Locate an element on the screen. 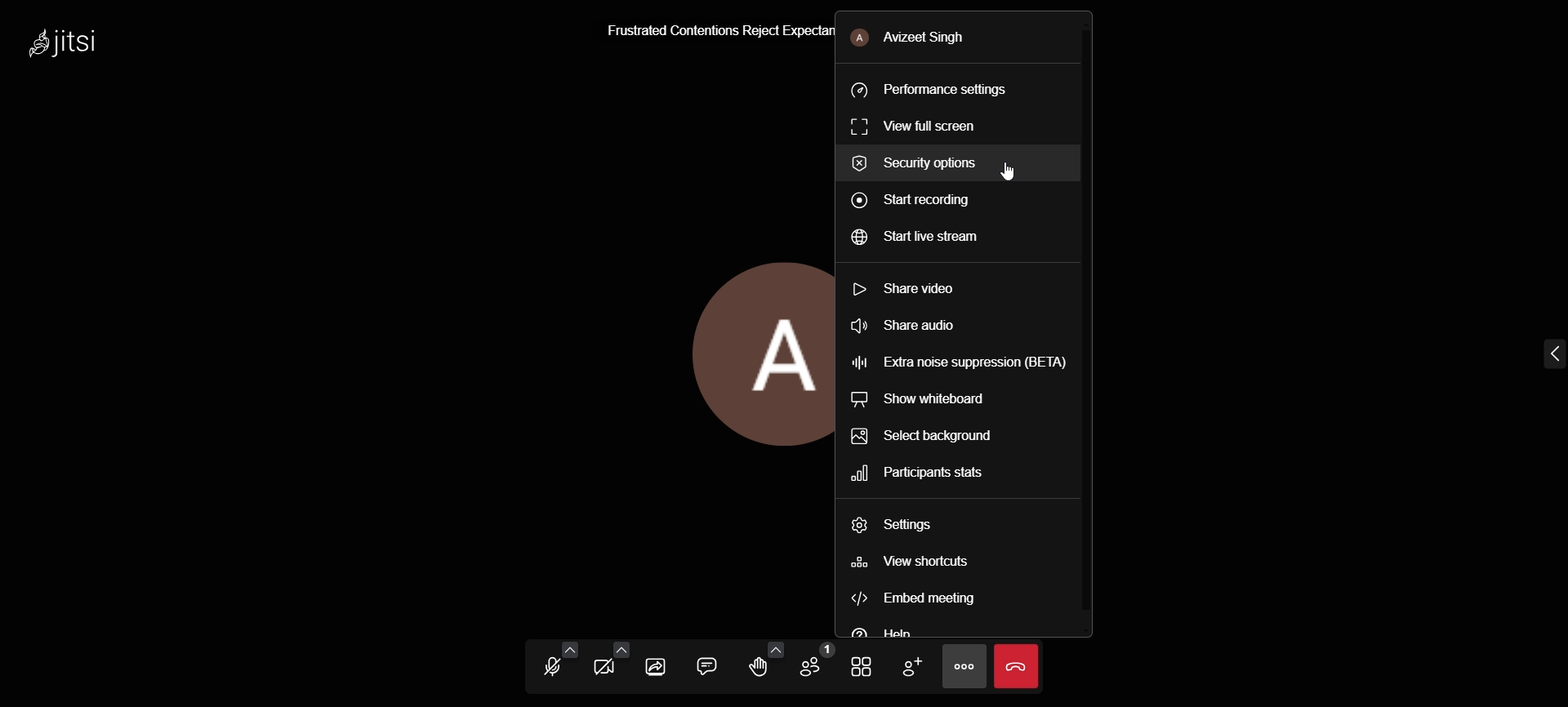 The height and width of the screenshot is (707, 1568). video setting is located at coordinates (623, 647).